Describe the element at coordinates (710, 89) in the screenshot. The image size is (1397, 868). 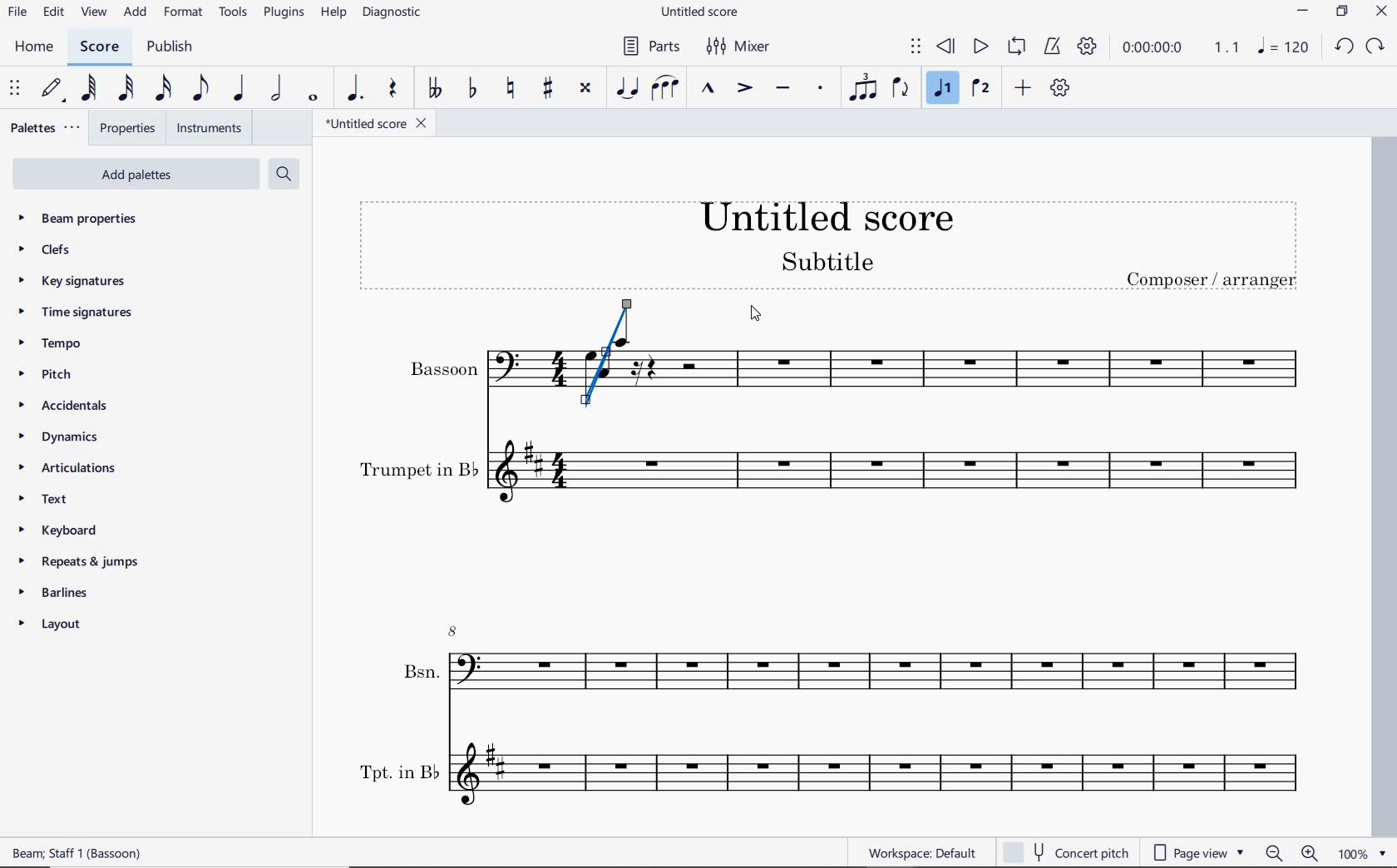
I see `marcato` at that location.